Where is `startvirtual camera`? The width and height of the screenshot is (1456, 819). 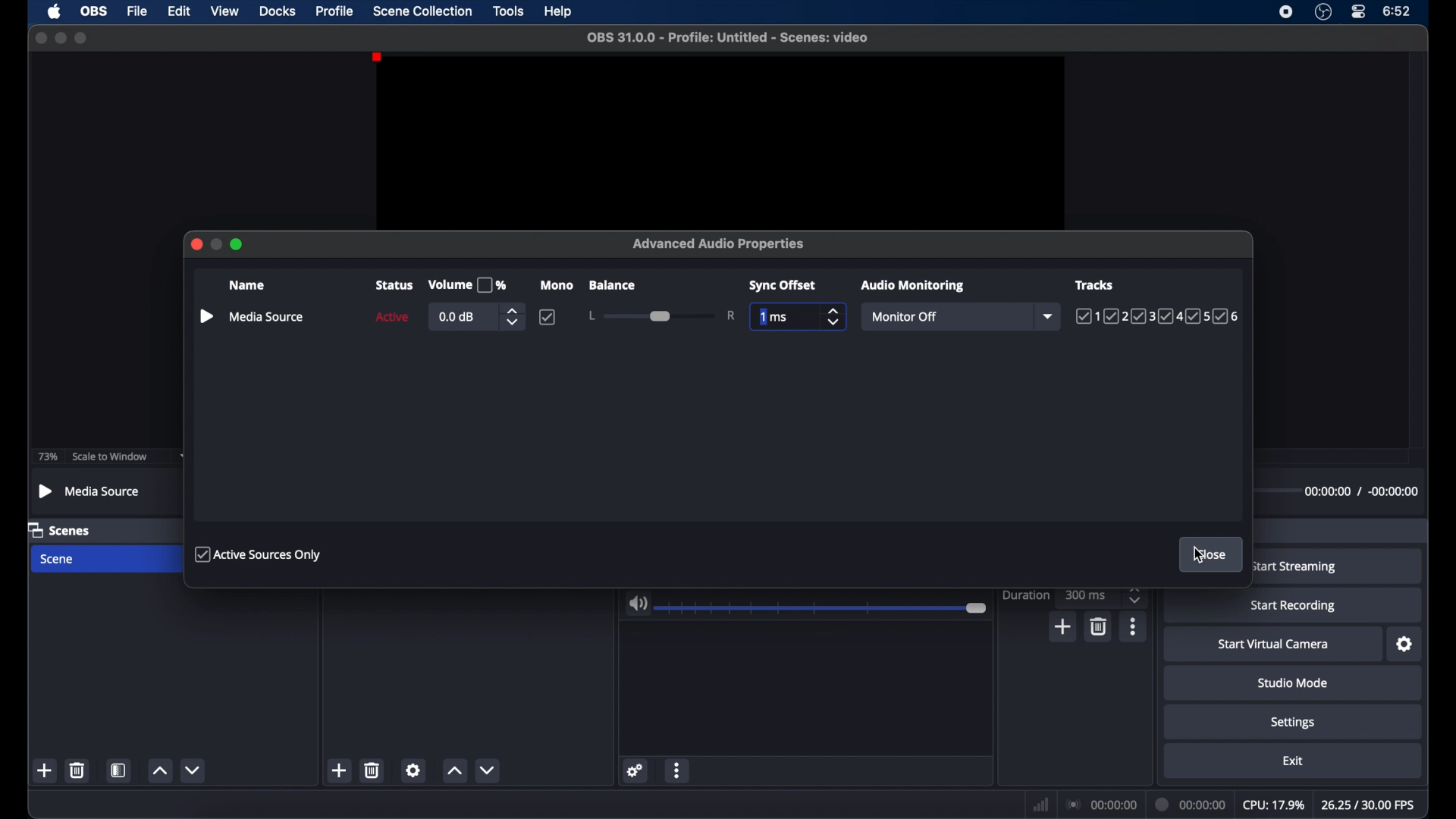 startvirtual camera is located at coordinates (1272, 645).